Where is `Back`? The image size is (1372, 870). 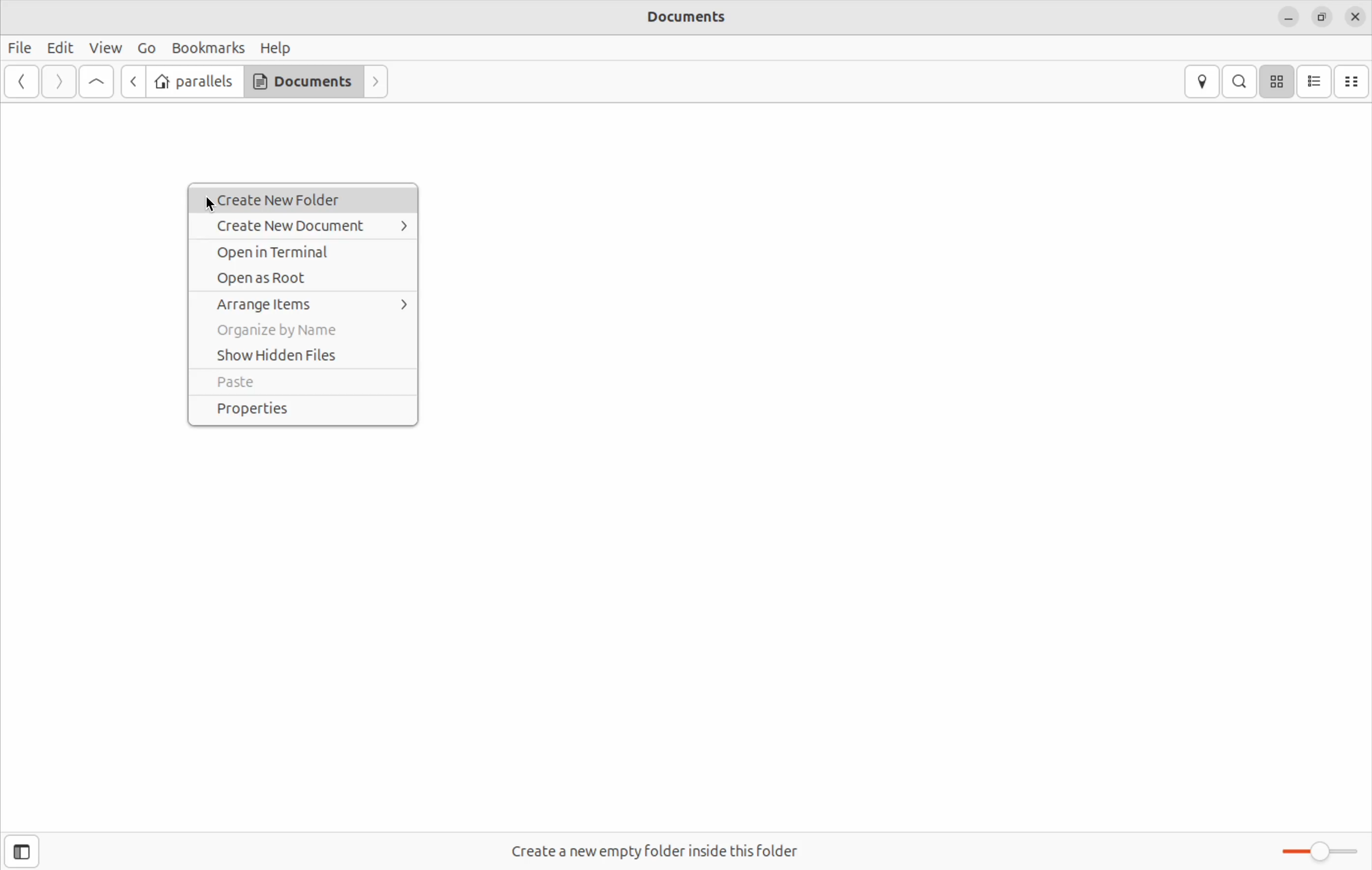
Back is located at coordinates (22, 82).